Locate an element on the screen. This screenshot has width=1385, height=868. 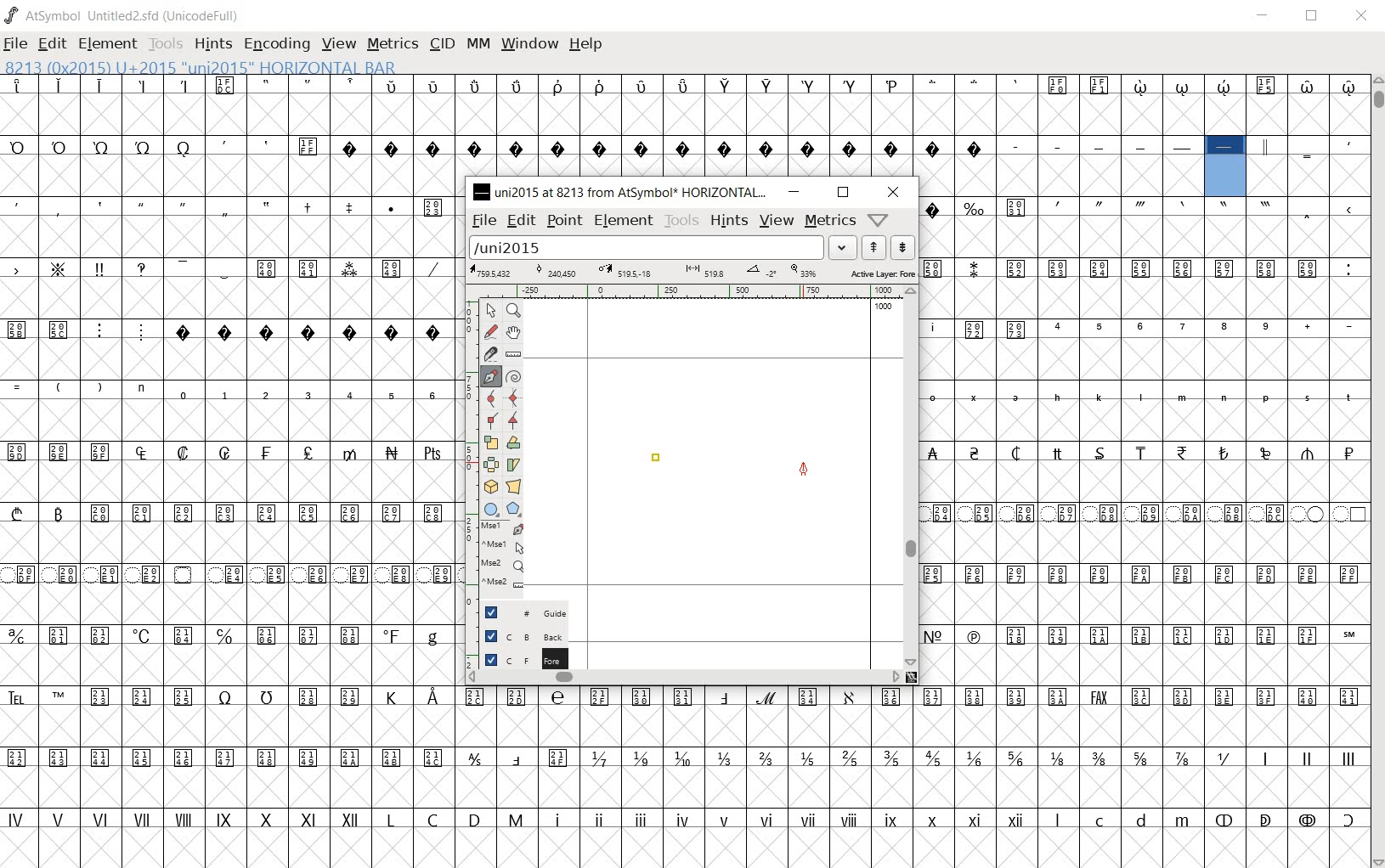
MM is located at coordinates (479, 45).